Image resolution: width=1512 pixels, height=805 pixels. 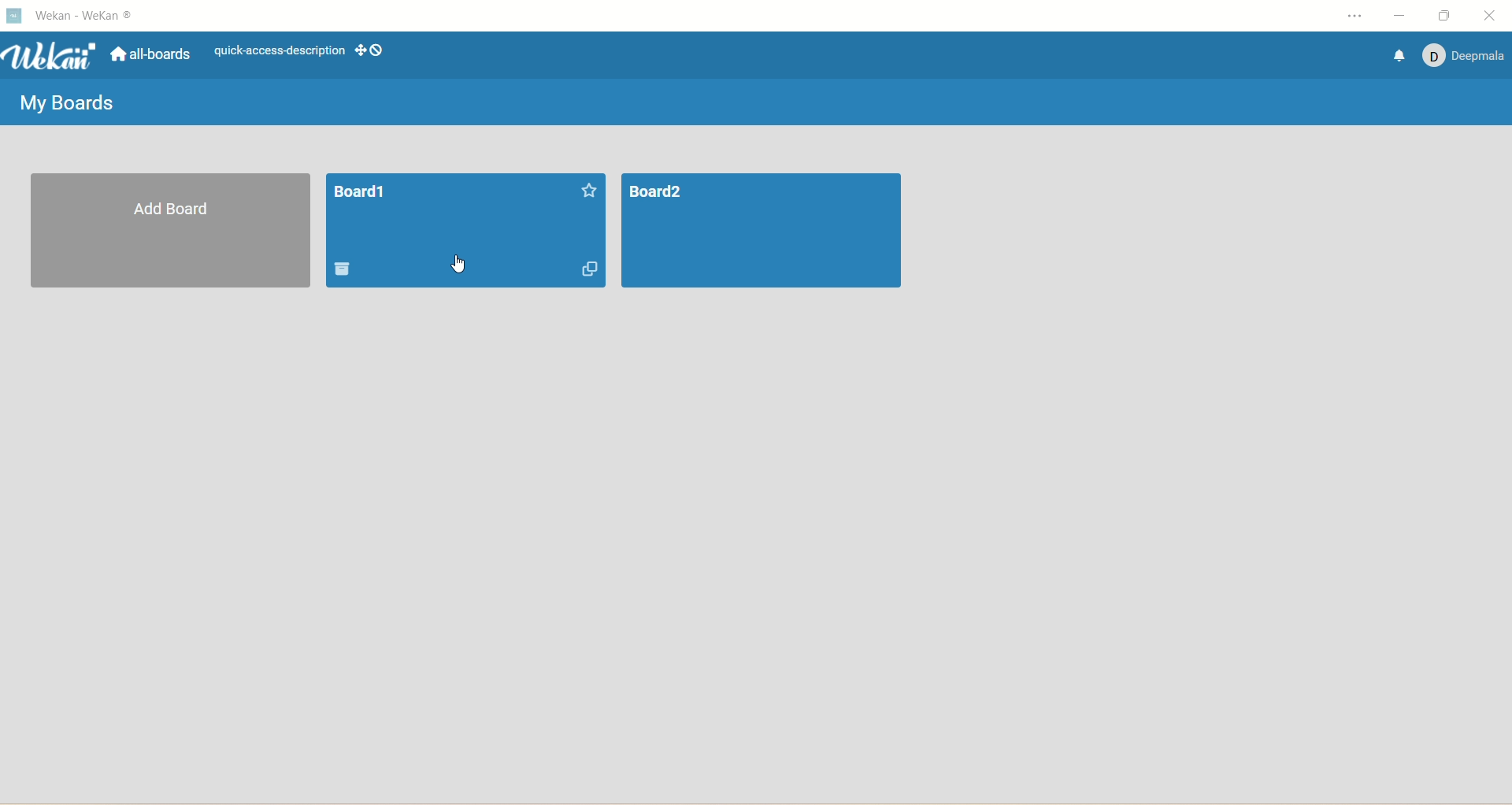 What do you see at coordinates (376, 50) in the screenshot?
I see `show-desktop-drag-handles` at bounding box center [376, 50].